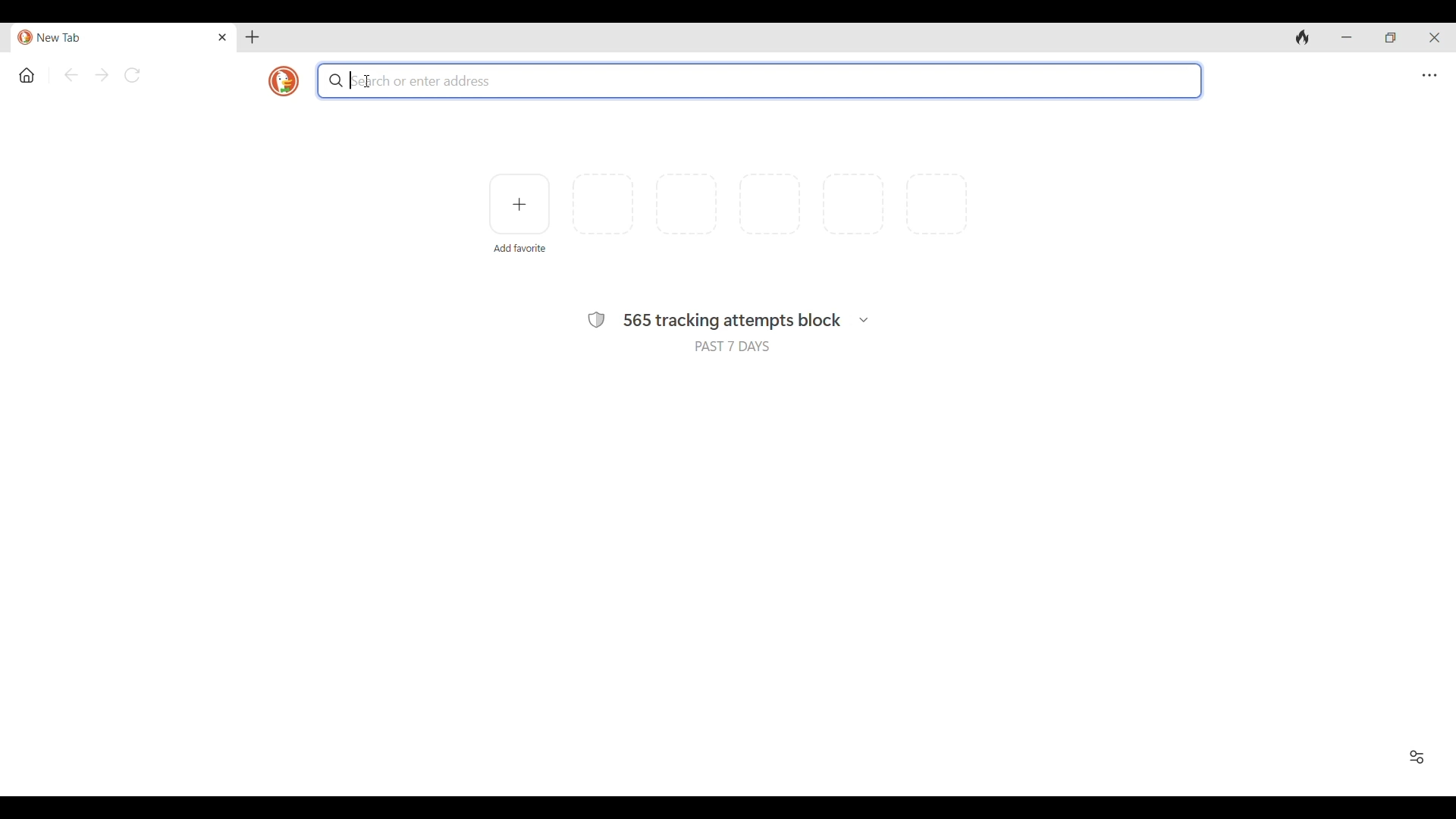 This screenshot has width=1456, height=819. I want to click on Show interface in a smaller tab, so click(1391, 38).